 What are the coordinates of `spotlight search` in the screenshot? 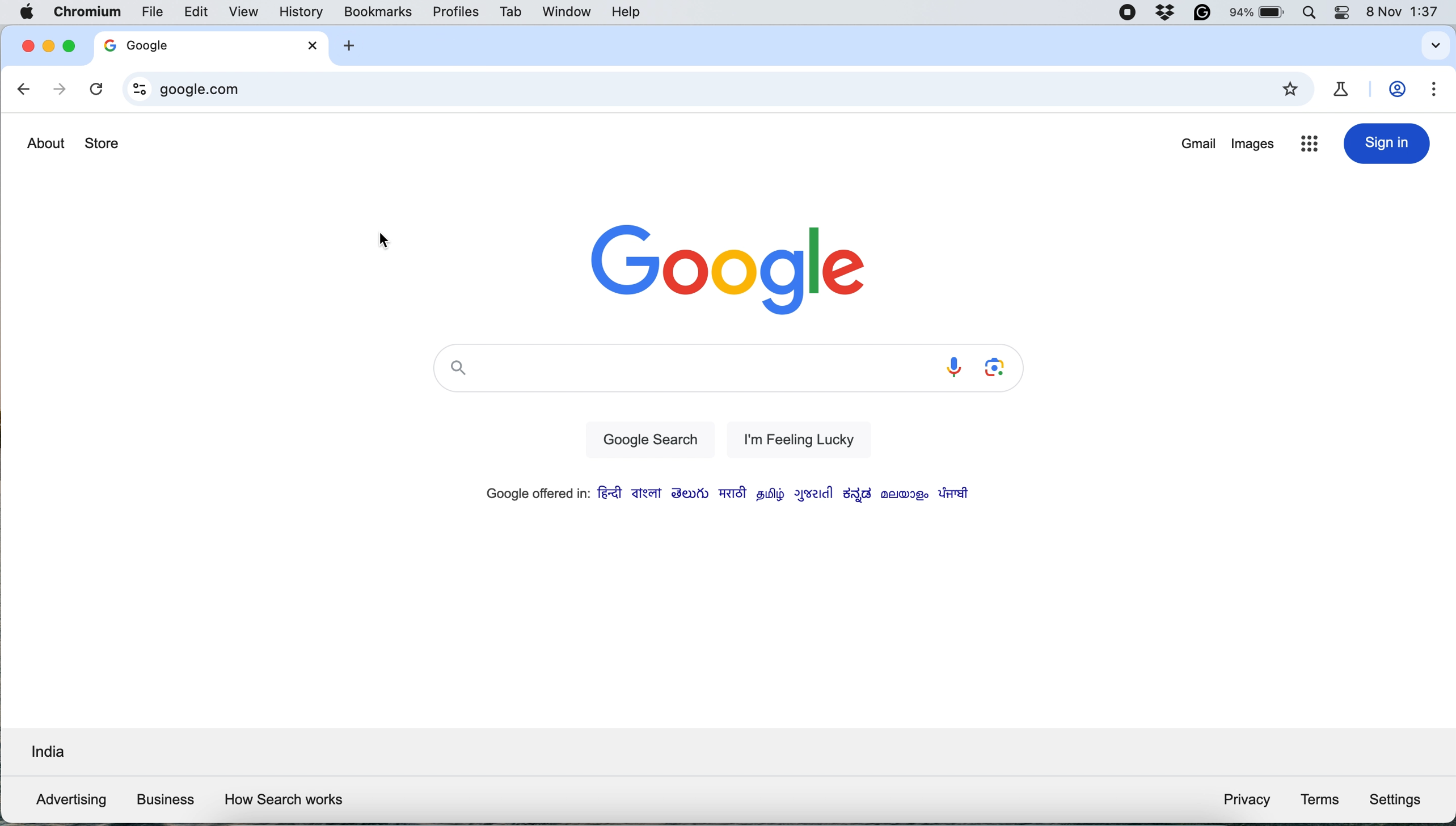 It's located at (1315, 14).